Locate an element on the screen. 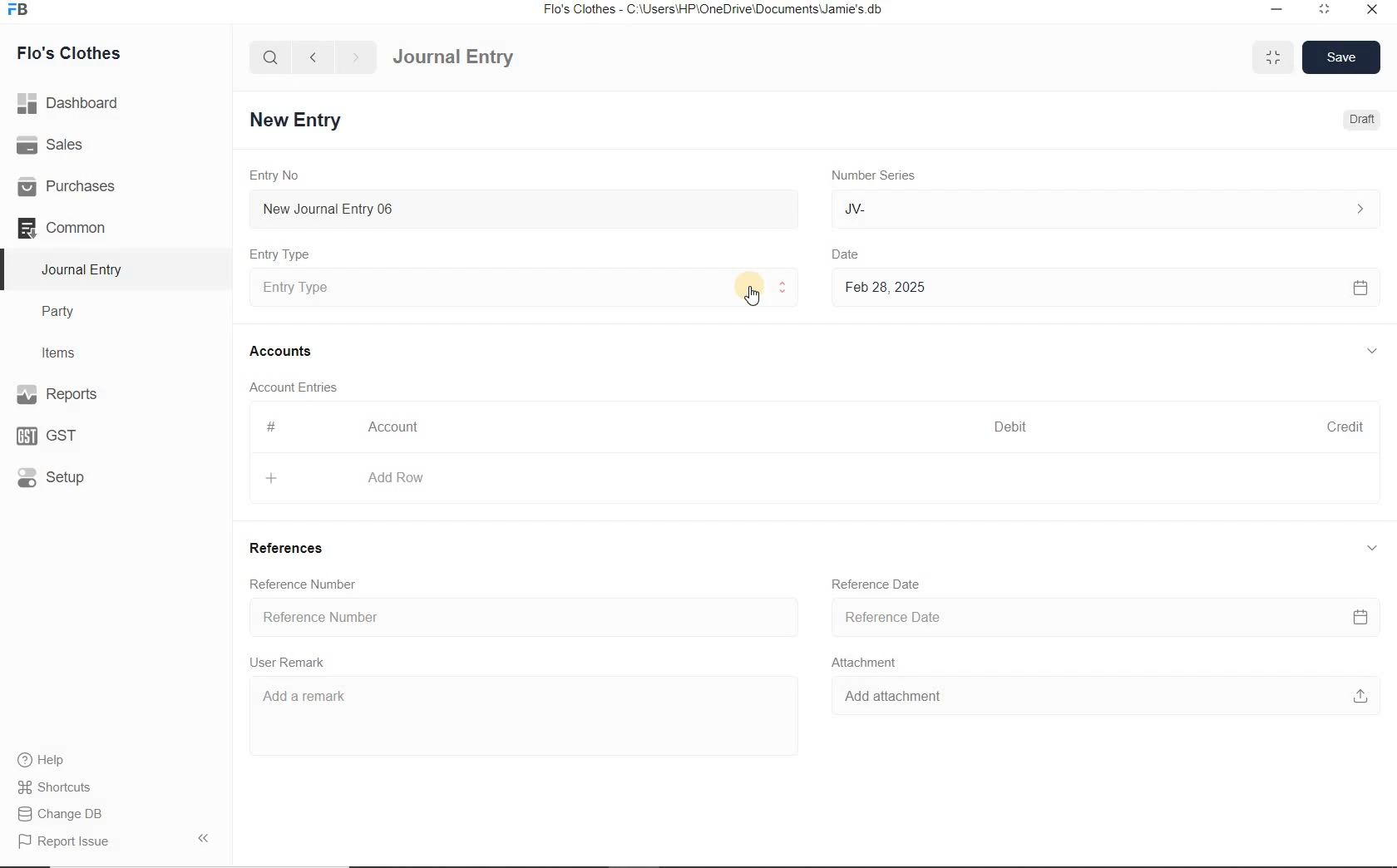  New Journal Entry 06 is located at coordinates (524, 207).